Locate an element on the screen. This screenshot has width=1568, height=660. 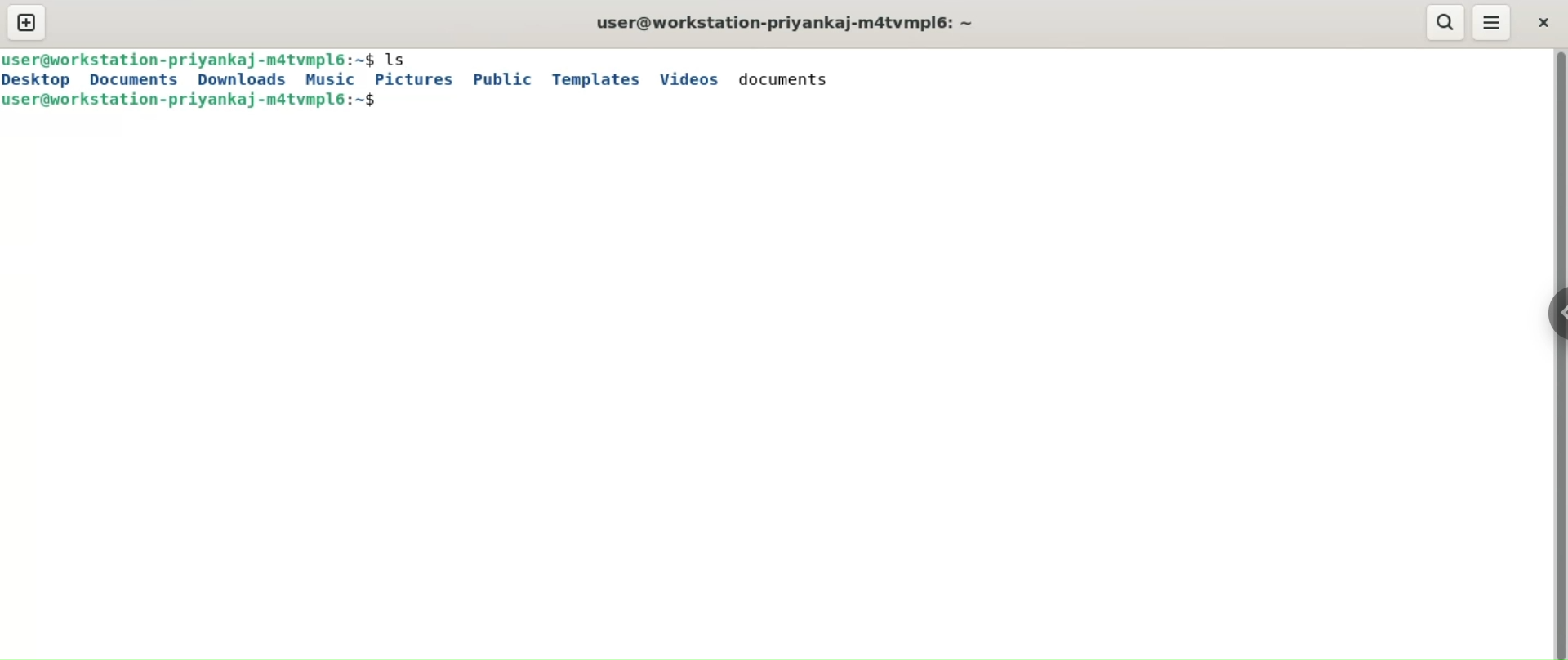
public is located at coordinates (506, 78).